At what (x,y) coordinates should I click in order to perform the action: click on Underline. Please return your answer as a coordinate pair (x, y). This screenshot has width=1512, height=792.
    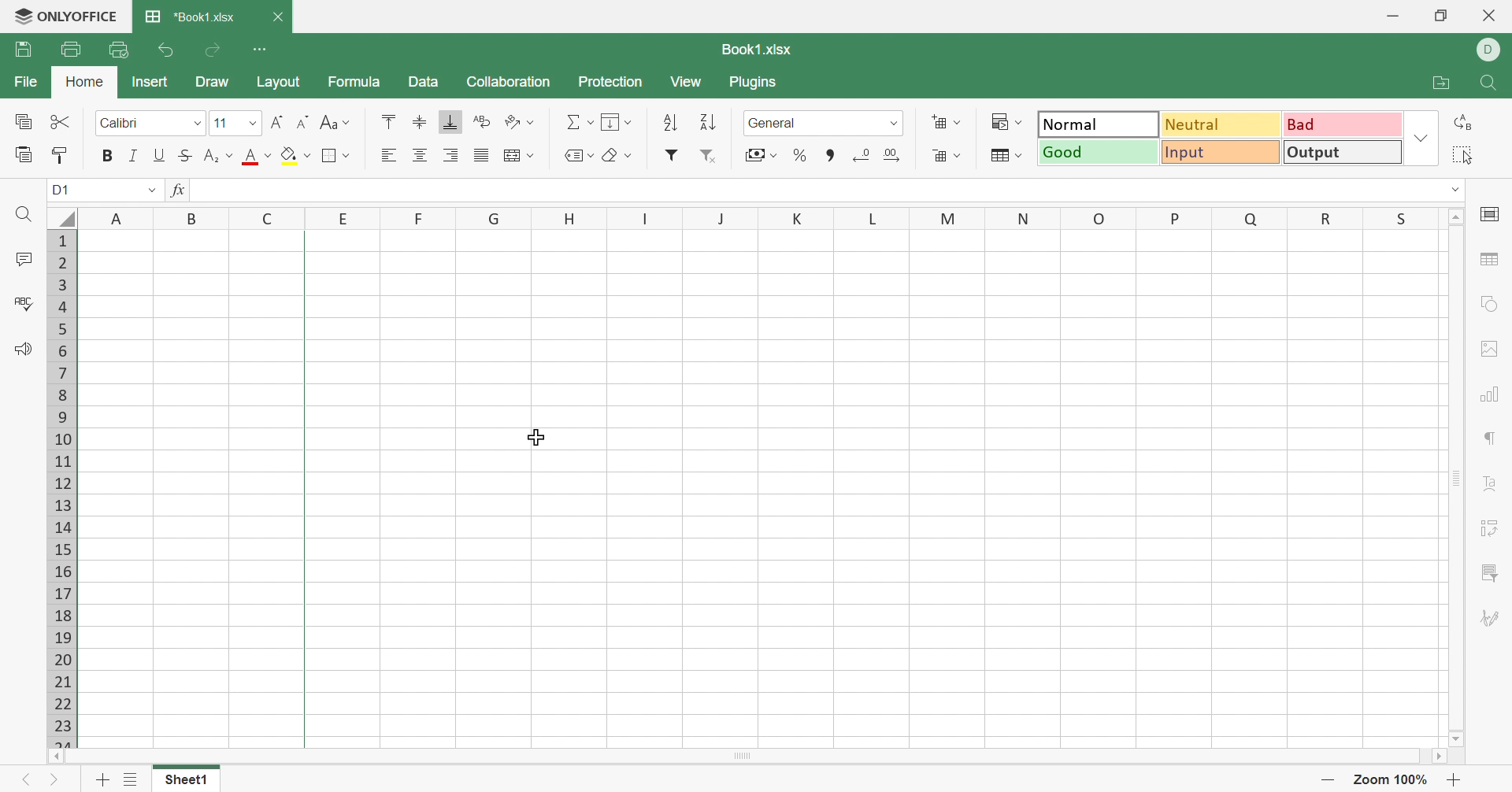
    Looking at the image, I should click on (161, 154).